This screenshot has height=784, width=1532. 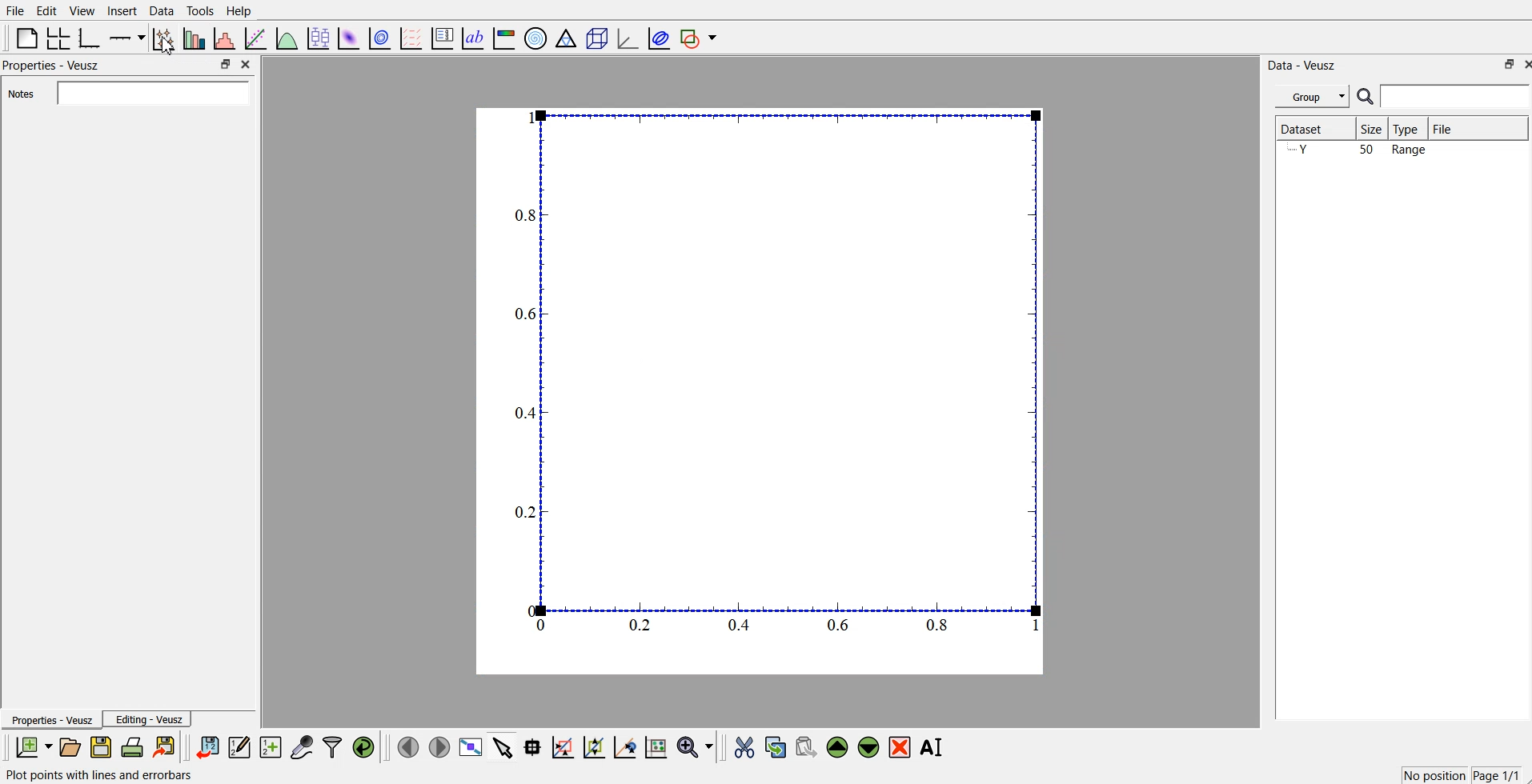 What do you see at coordinates (410, 36) in the screenshot?
I see `plot vector field` at bounding box center [410, 36].